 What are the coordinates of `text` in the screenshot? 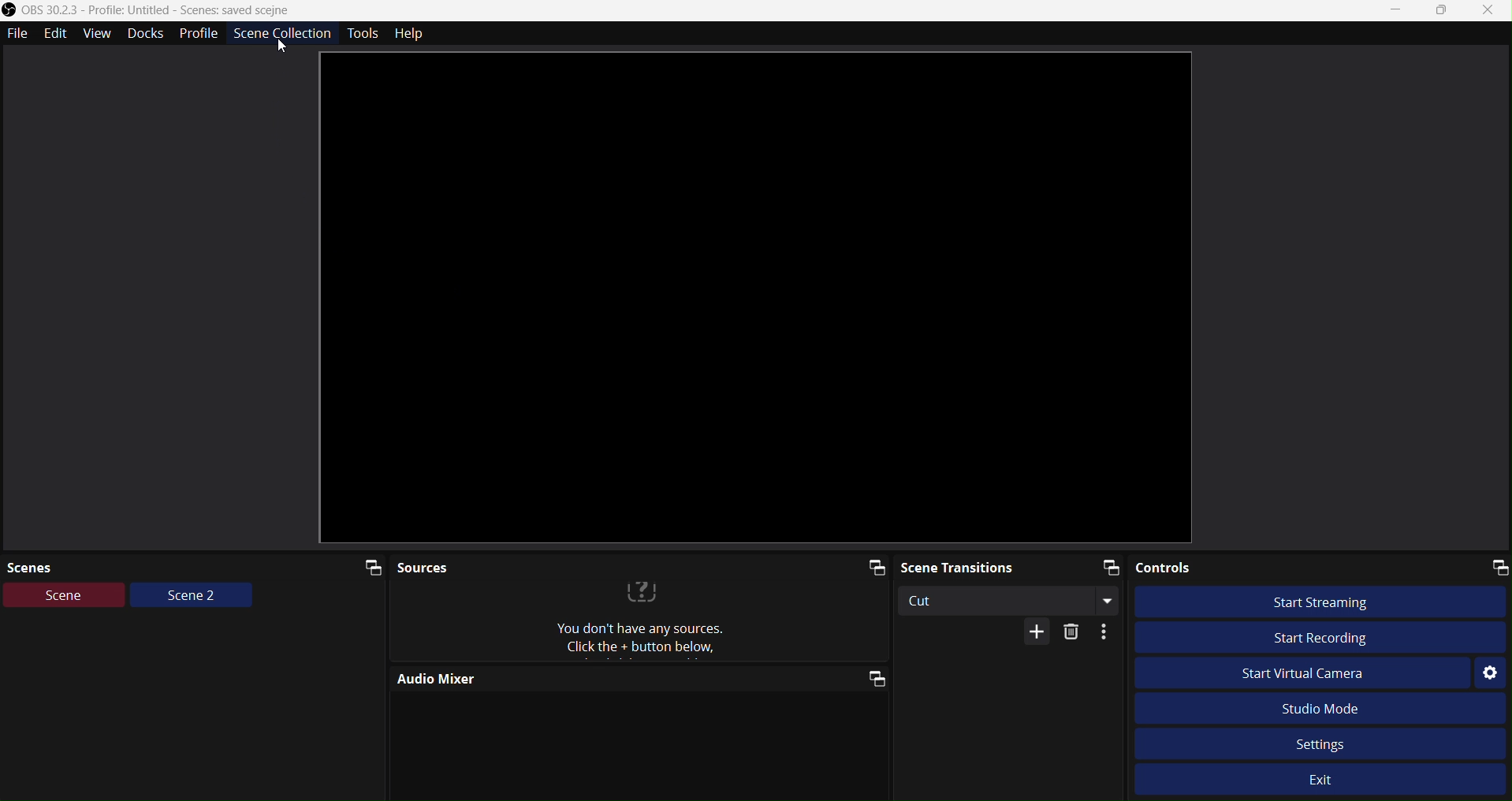 It's located at (646, 624).